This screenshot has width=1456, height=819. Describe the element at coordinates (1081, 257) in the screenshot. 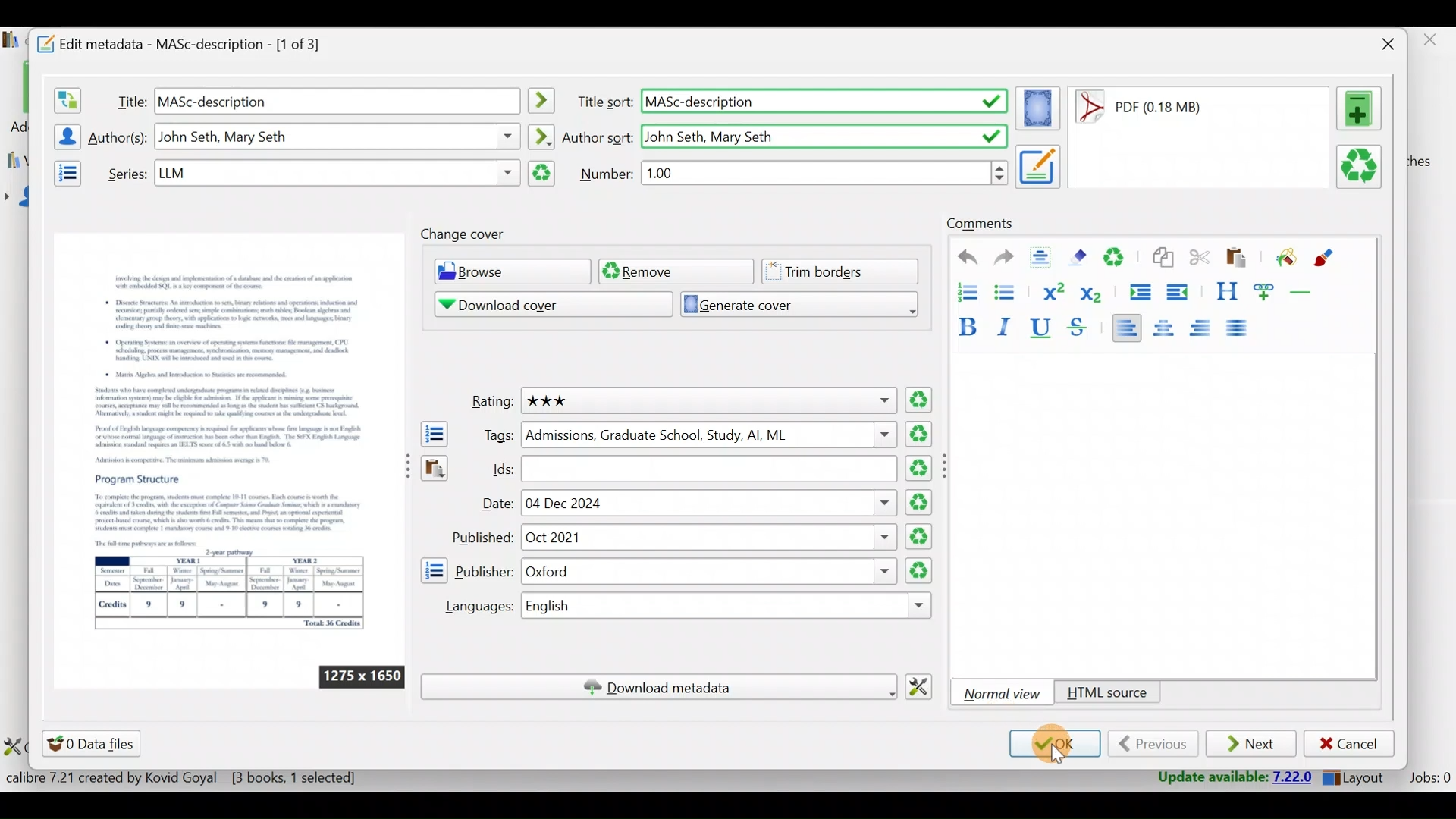

I see `Remove formatting` at that location.